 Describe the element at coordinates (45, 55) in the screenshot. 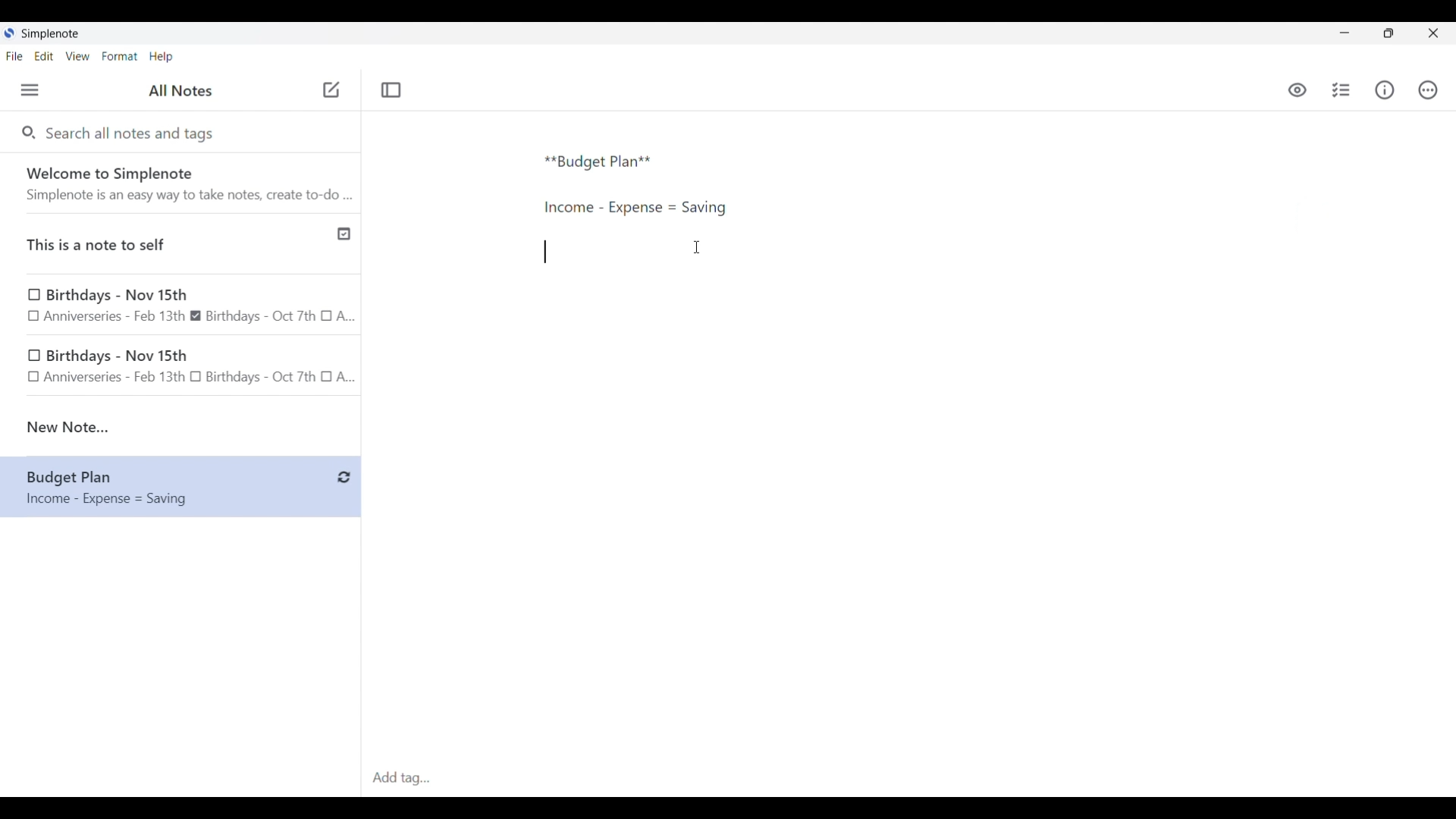

I see `Edit menu` at that location.